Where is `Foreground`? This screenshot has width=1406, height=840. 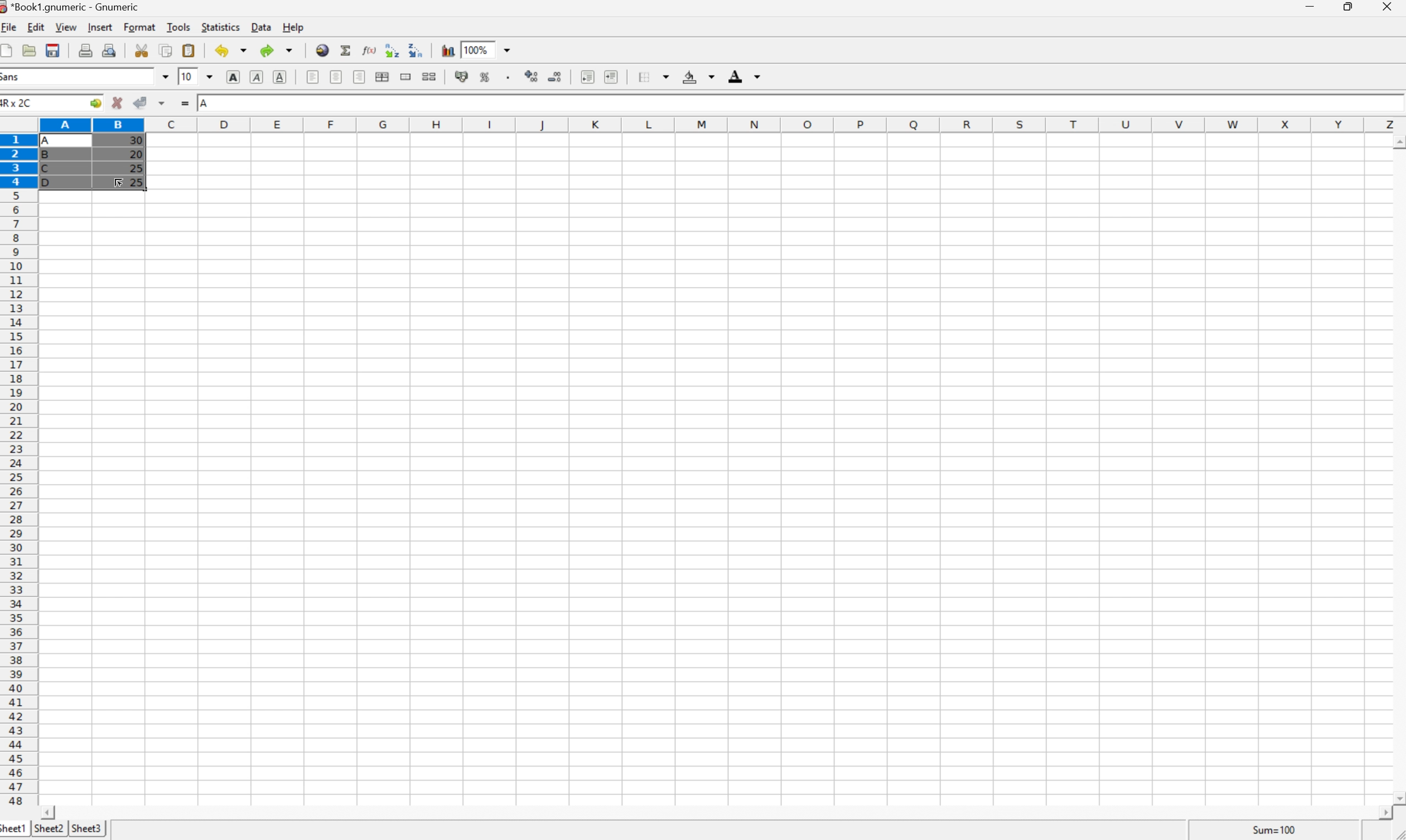 Foreground is located at coordinates (746, 76).